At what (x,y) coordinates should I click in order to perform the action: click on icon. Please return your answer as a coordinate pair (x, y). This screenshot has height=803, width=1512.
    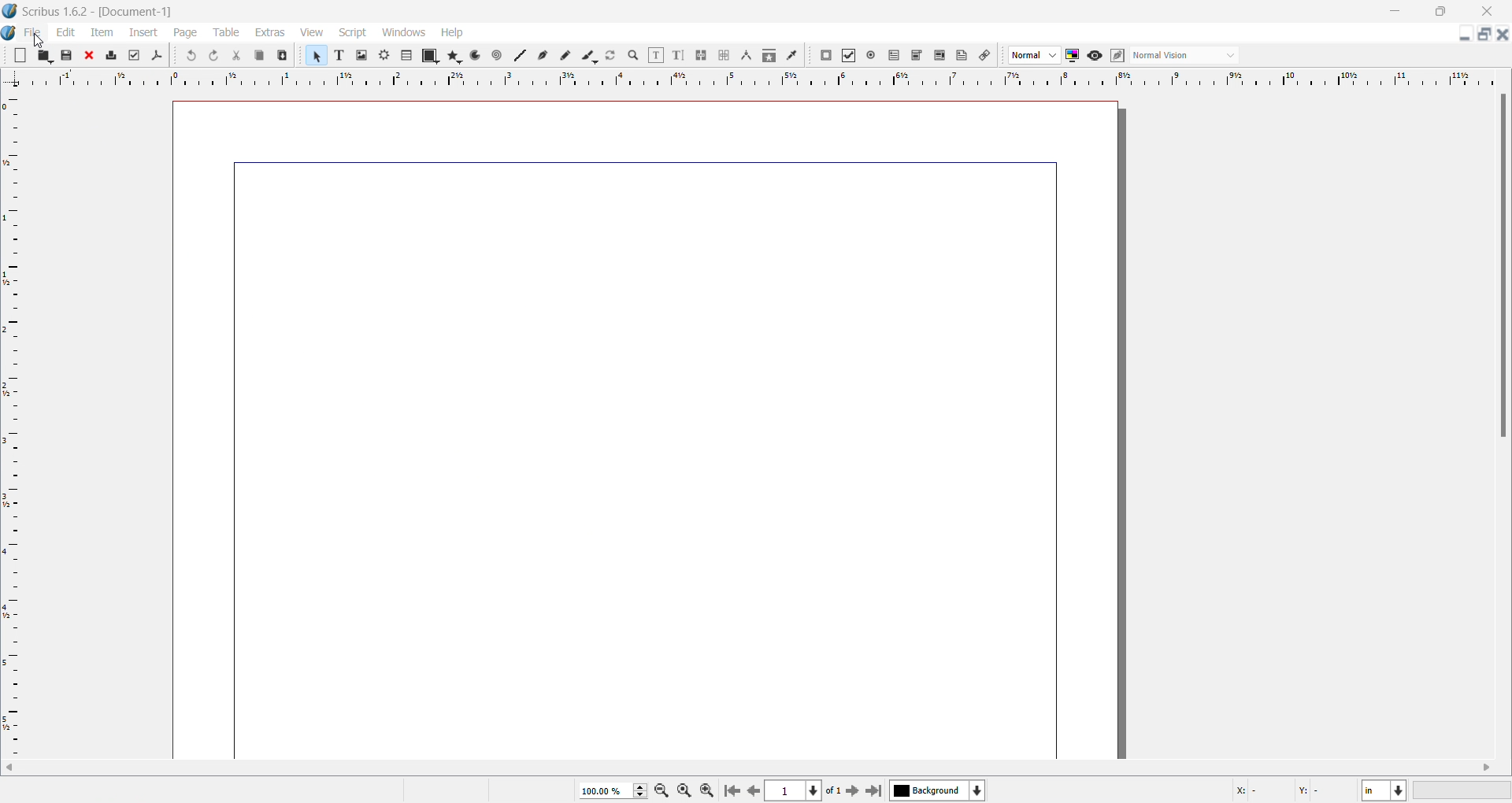
    Looking at the image, I should click on (586, 57).